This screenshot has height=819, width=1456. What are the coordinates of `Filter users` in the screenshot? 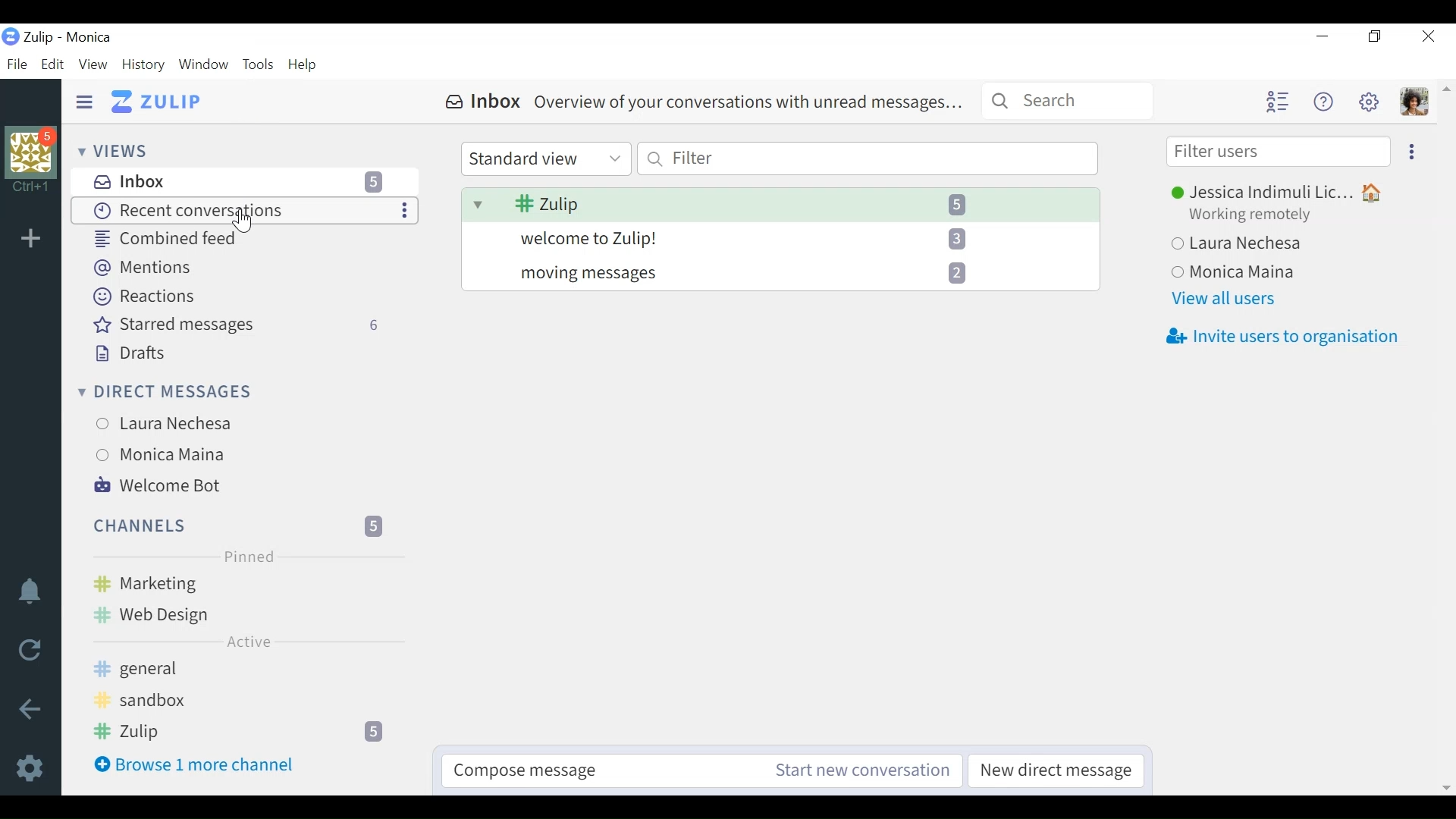 It's located at (1279, 151).